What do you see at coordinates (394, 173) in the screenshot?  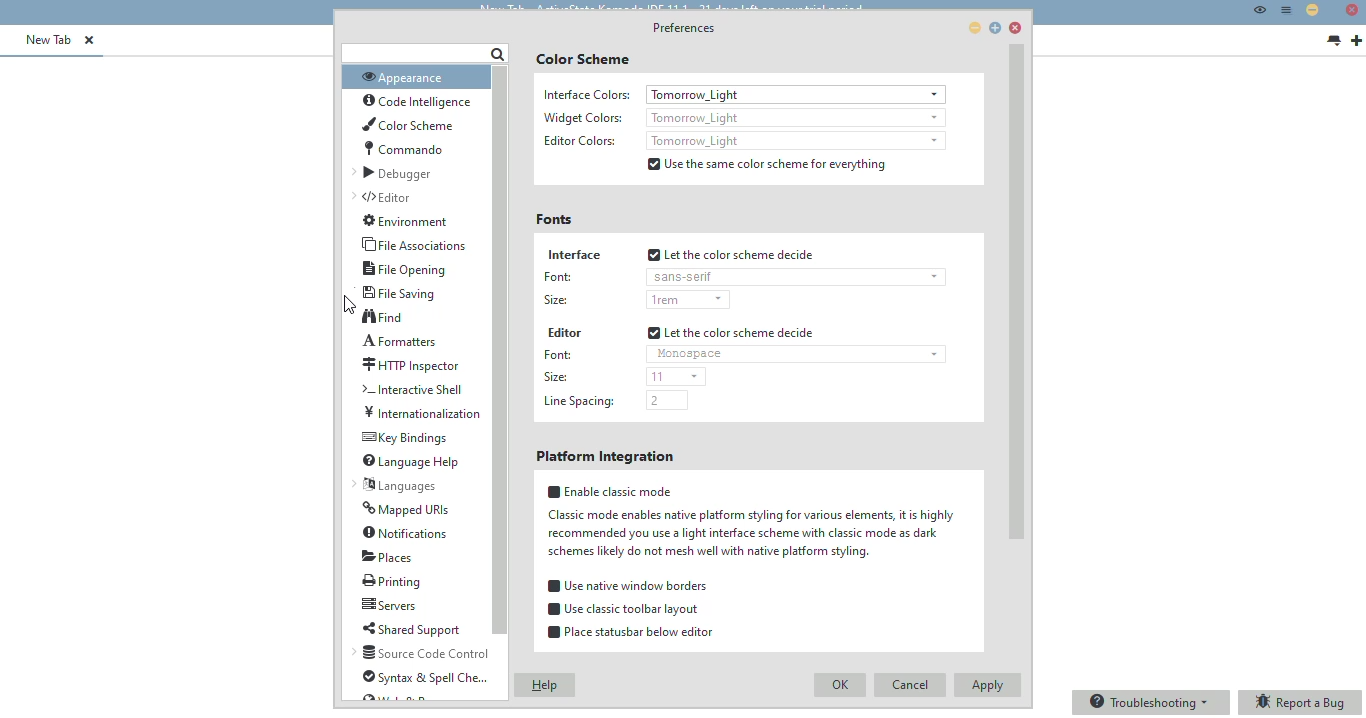 I see `debugger` at bounding box center [394, 173].